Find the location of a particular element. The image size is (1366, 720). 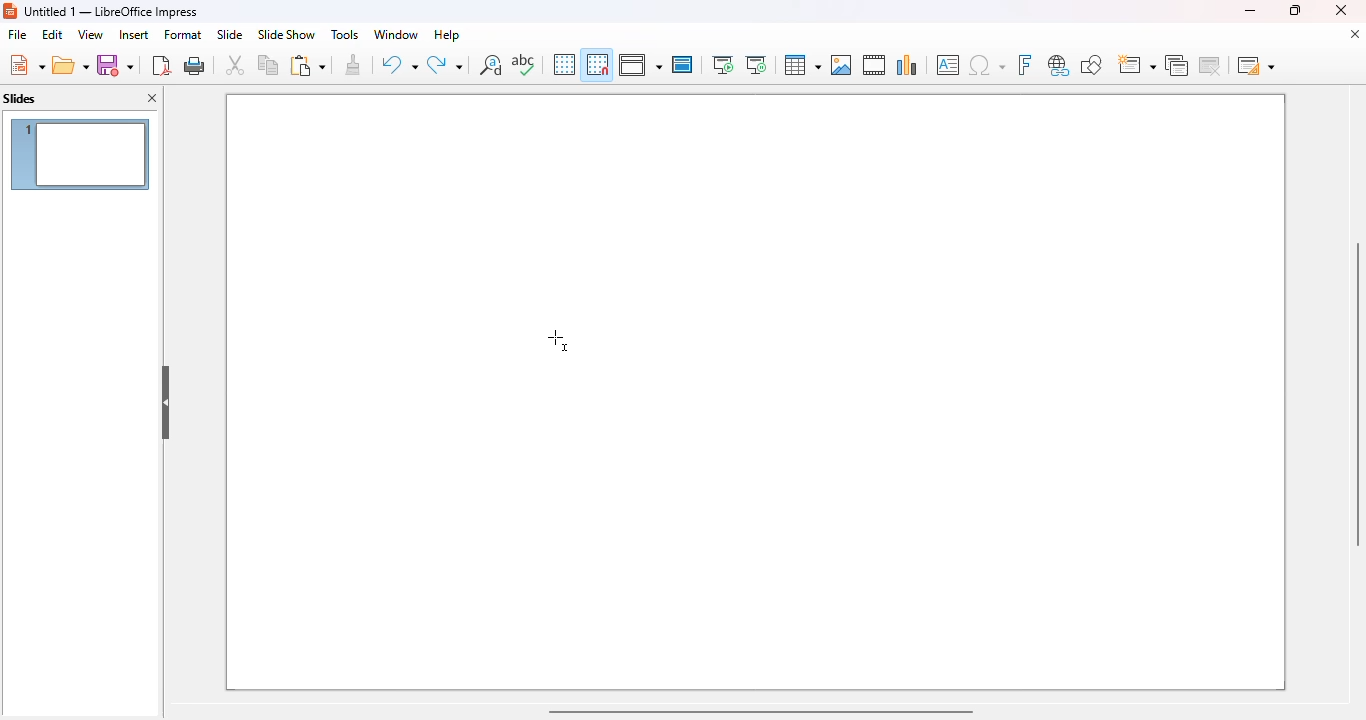

slide layout is located at coordinates (1256, 65).